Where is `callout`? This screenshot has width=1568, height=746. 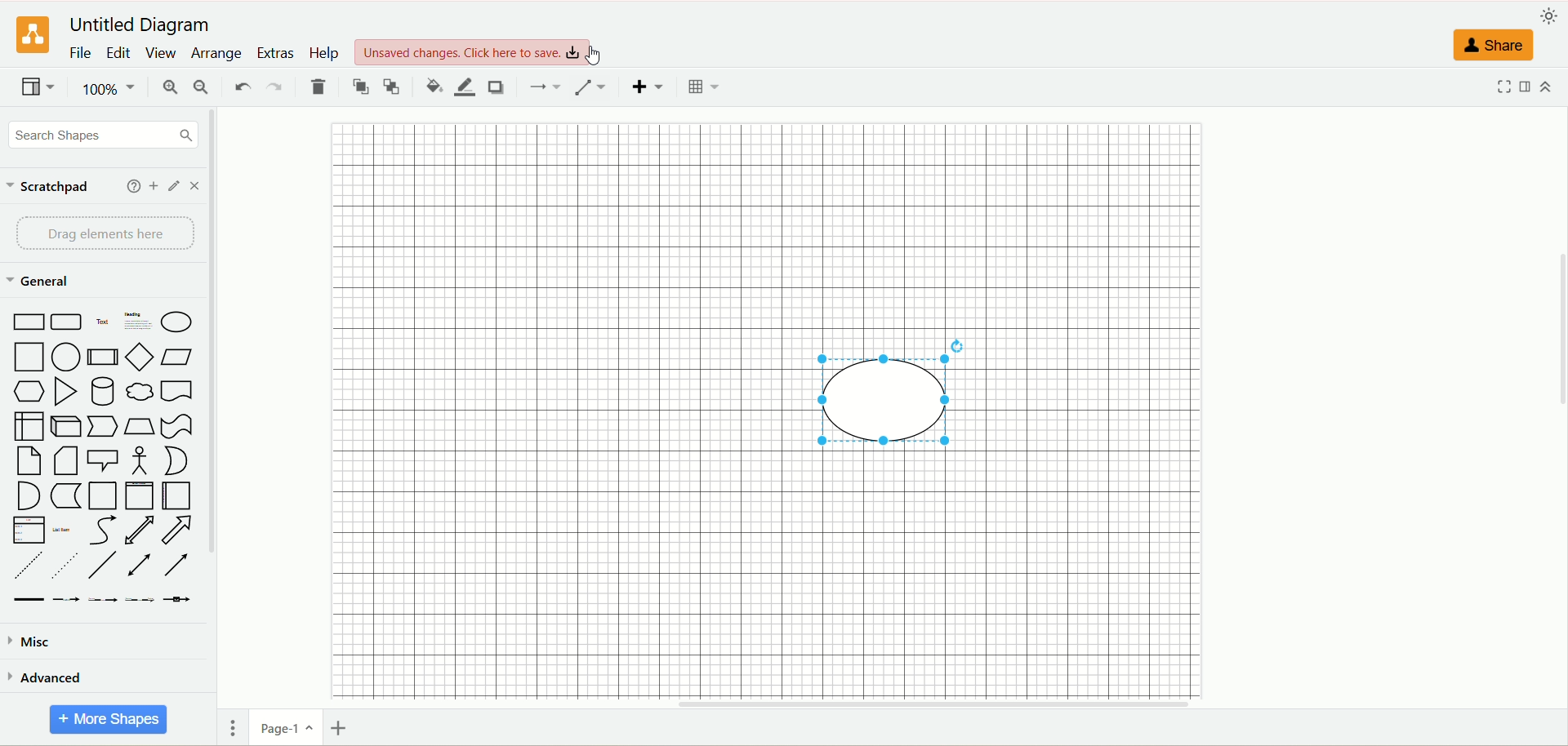
callout is located at coordinates (101, 460).